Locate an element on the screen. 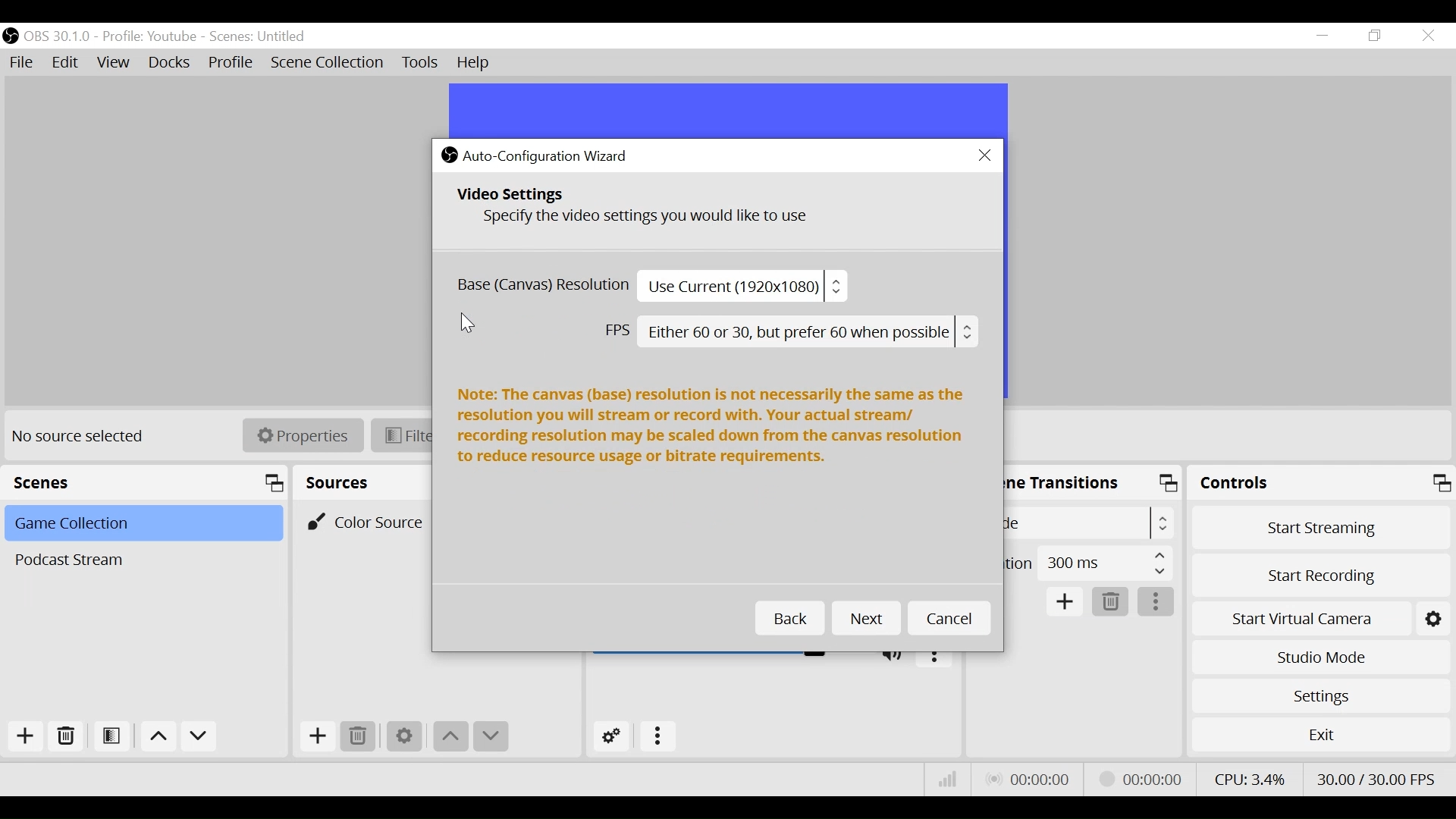 The width and height of the screenshot is (1456, 819). Back is located at coordinates (789, 620).